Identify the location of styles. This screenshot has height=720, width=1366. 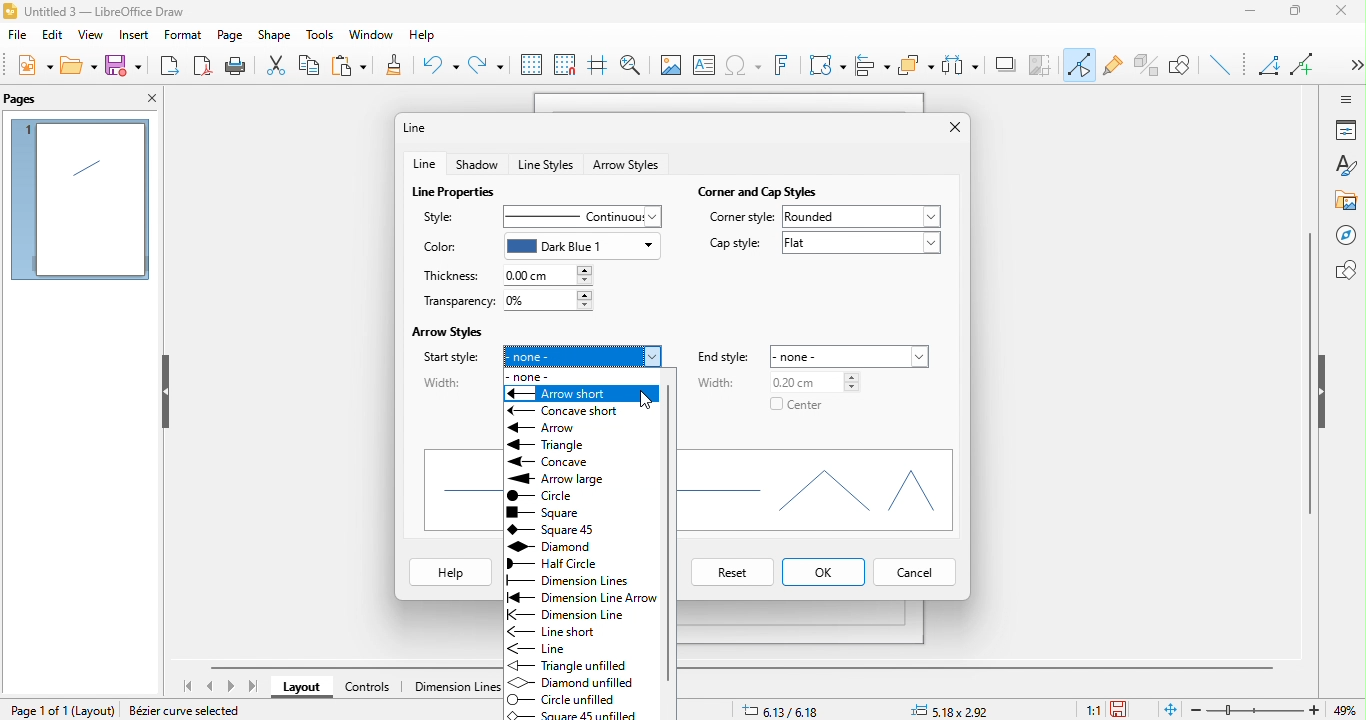
(1345, 167).